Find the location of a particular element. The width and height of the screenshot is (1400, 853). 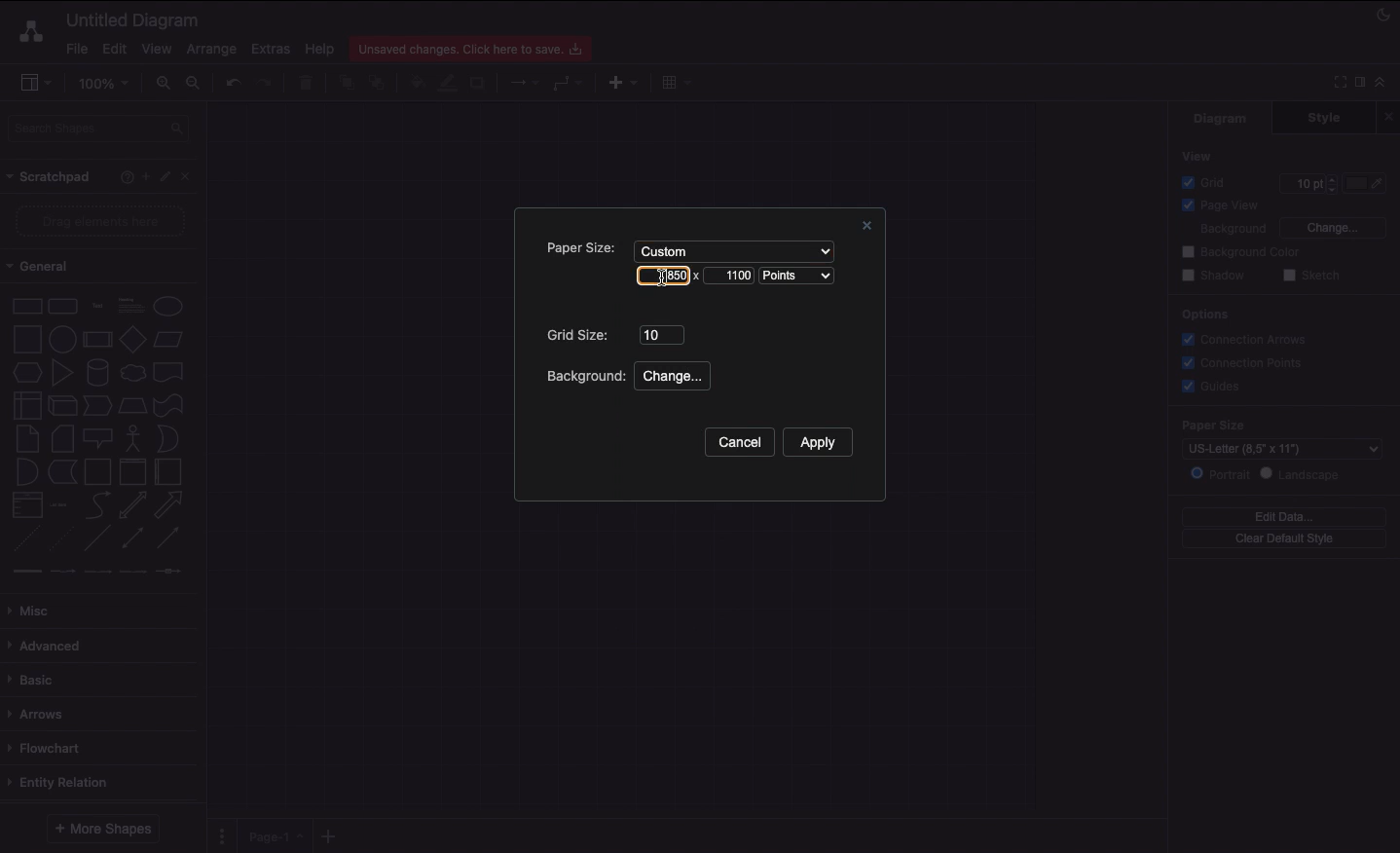

Parallelogram is located at coordinates (169, 340).